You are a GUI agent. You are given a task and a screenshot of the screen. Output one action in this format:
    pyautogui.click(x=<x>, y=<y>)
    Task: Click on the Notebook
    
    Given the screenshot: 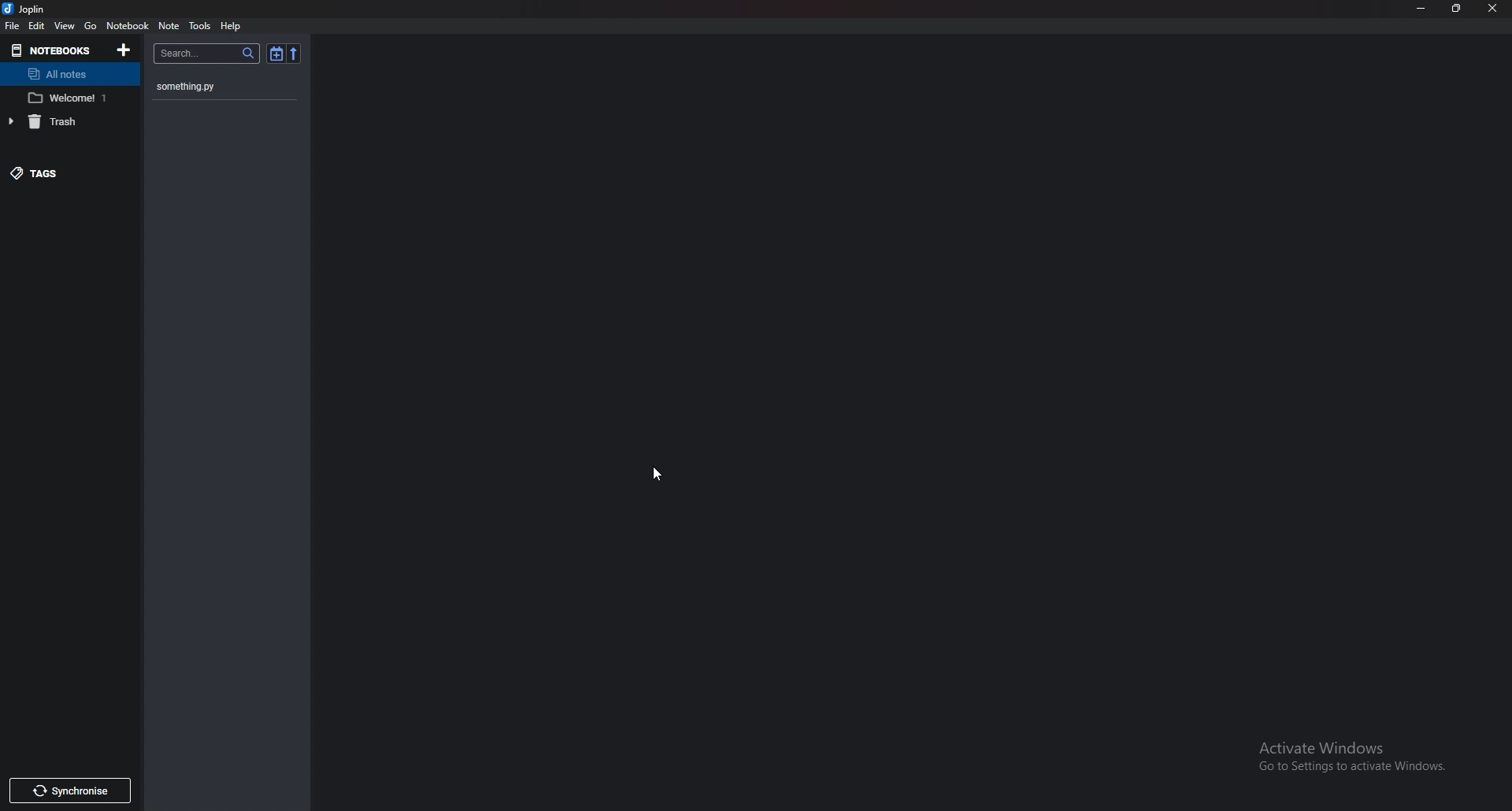 What is the action you would take?
    pyautogui.click(x=127, y=25)
    